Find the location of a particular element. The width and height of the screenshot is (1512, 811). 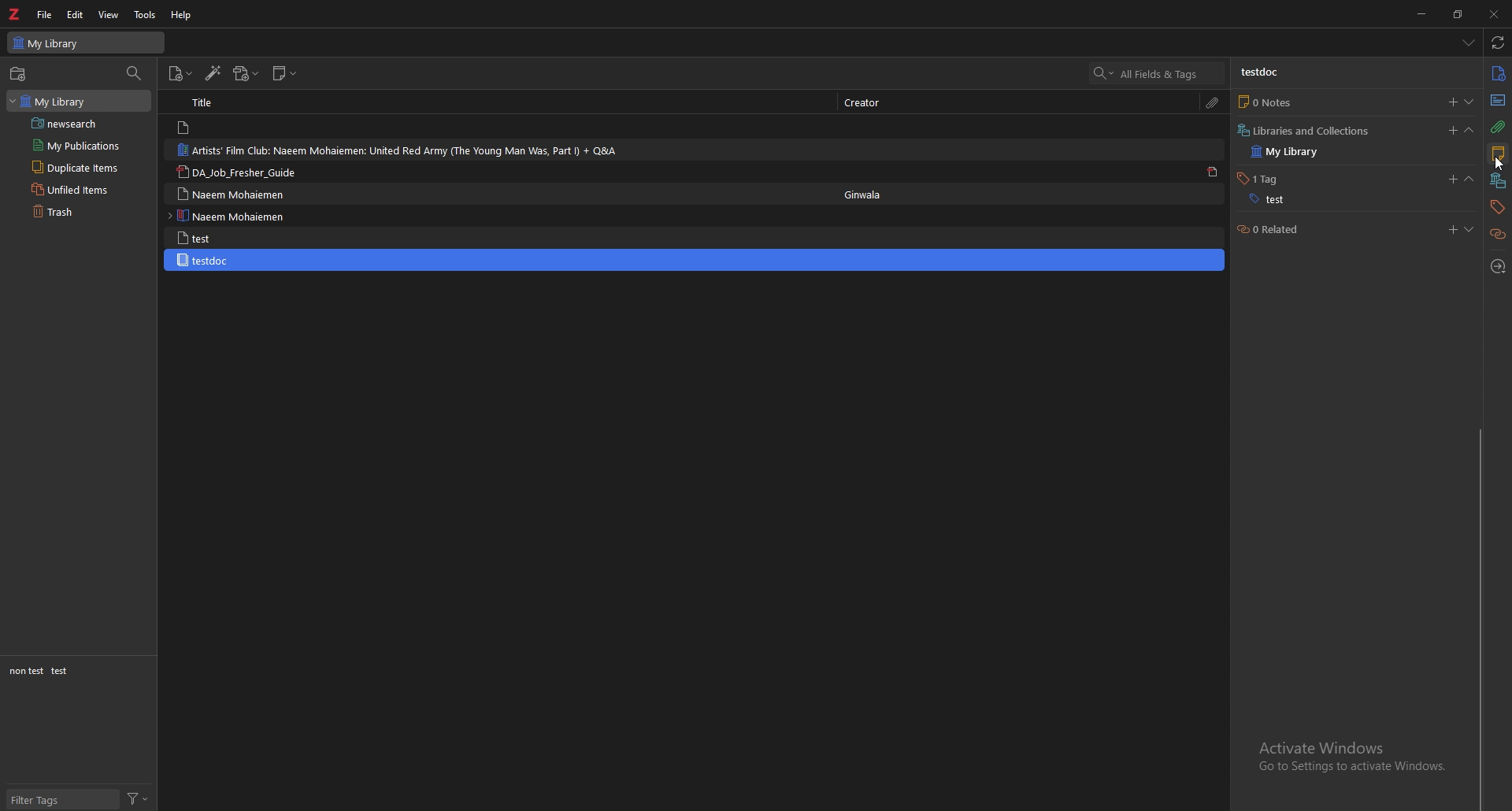

show is located at coordinates (1468, 103).